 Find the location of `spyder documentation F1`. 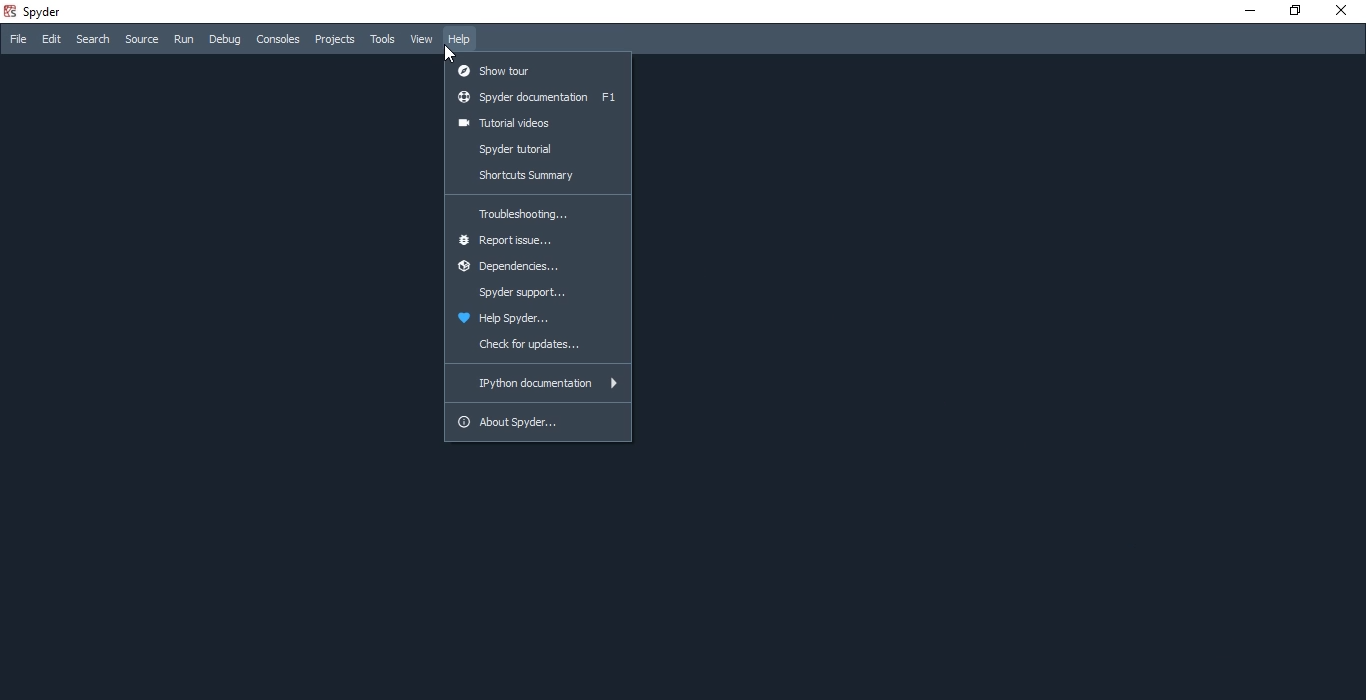

spyder documentation F1 is located at coordinates (537, 98).